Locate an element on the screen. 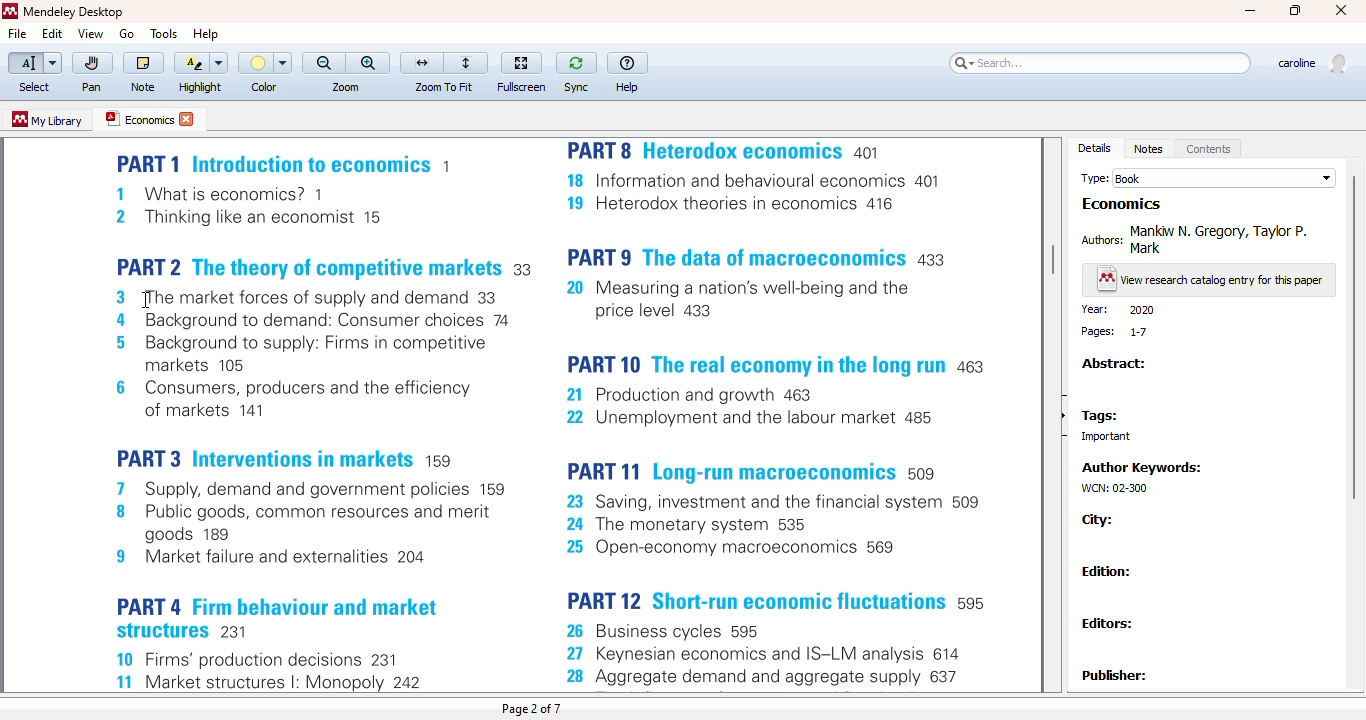 The width and height of the screenshot is (1366, 720). WCN: 02-300 is located at coordinates (1112, 488).